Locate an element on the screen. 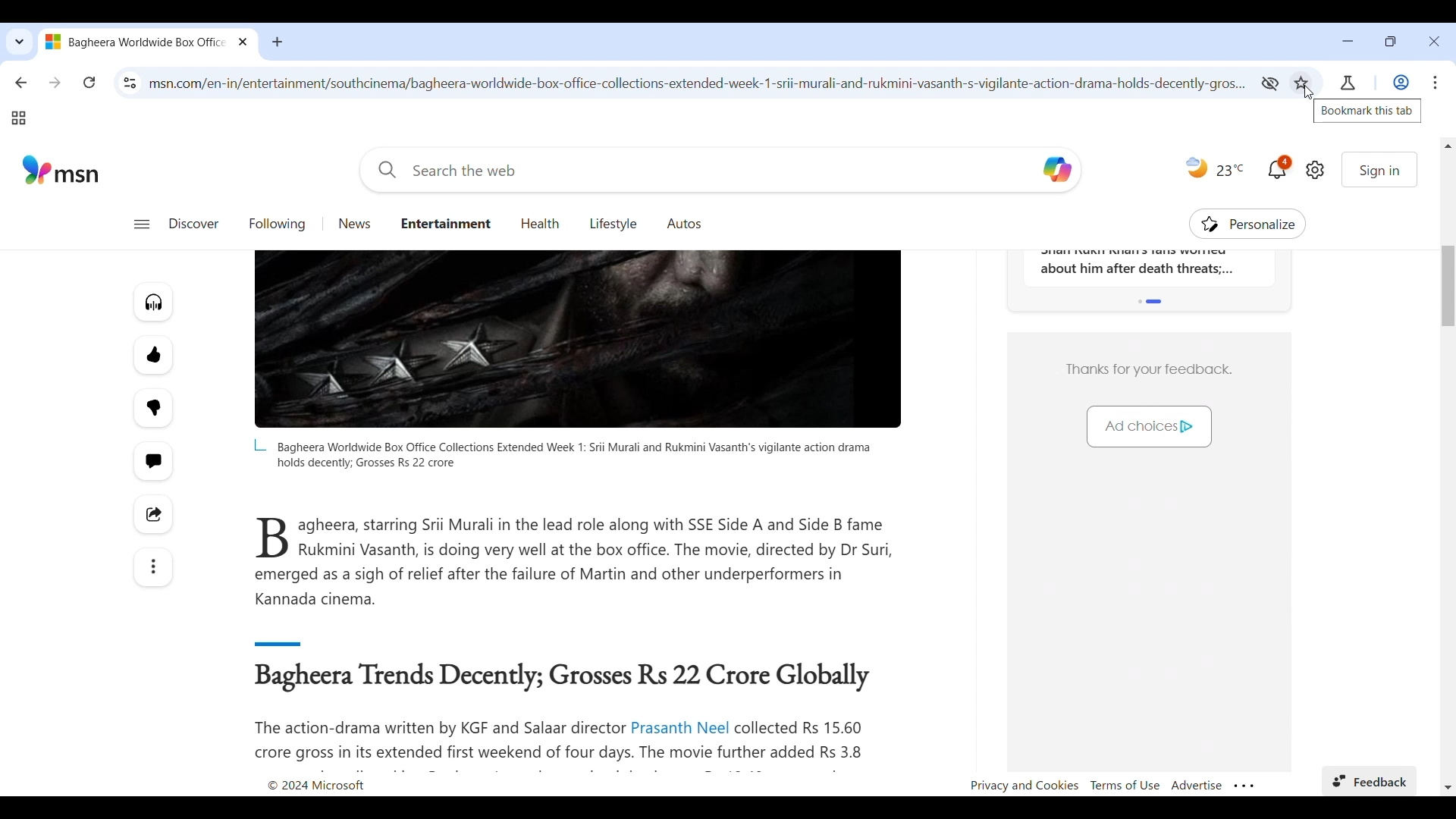 The image size is (1456, 819). Customize and control Chromium is located at coordinates (1436, 82).